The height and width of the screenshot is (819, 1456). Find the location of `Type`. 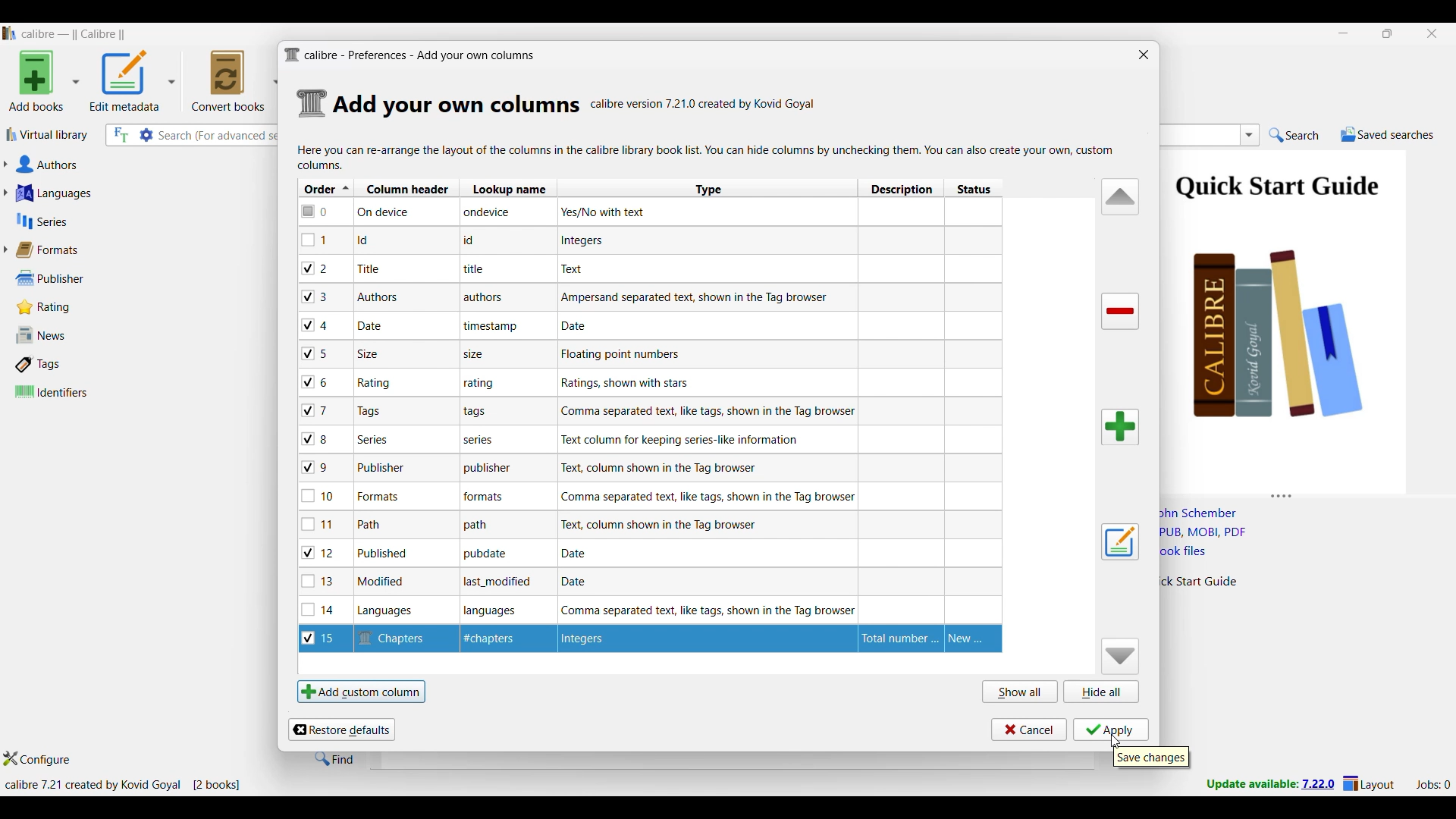

Type is located at coordinates (619, 640).